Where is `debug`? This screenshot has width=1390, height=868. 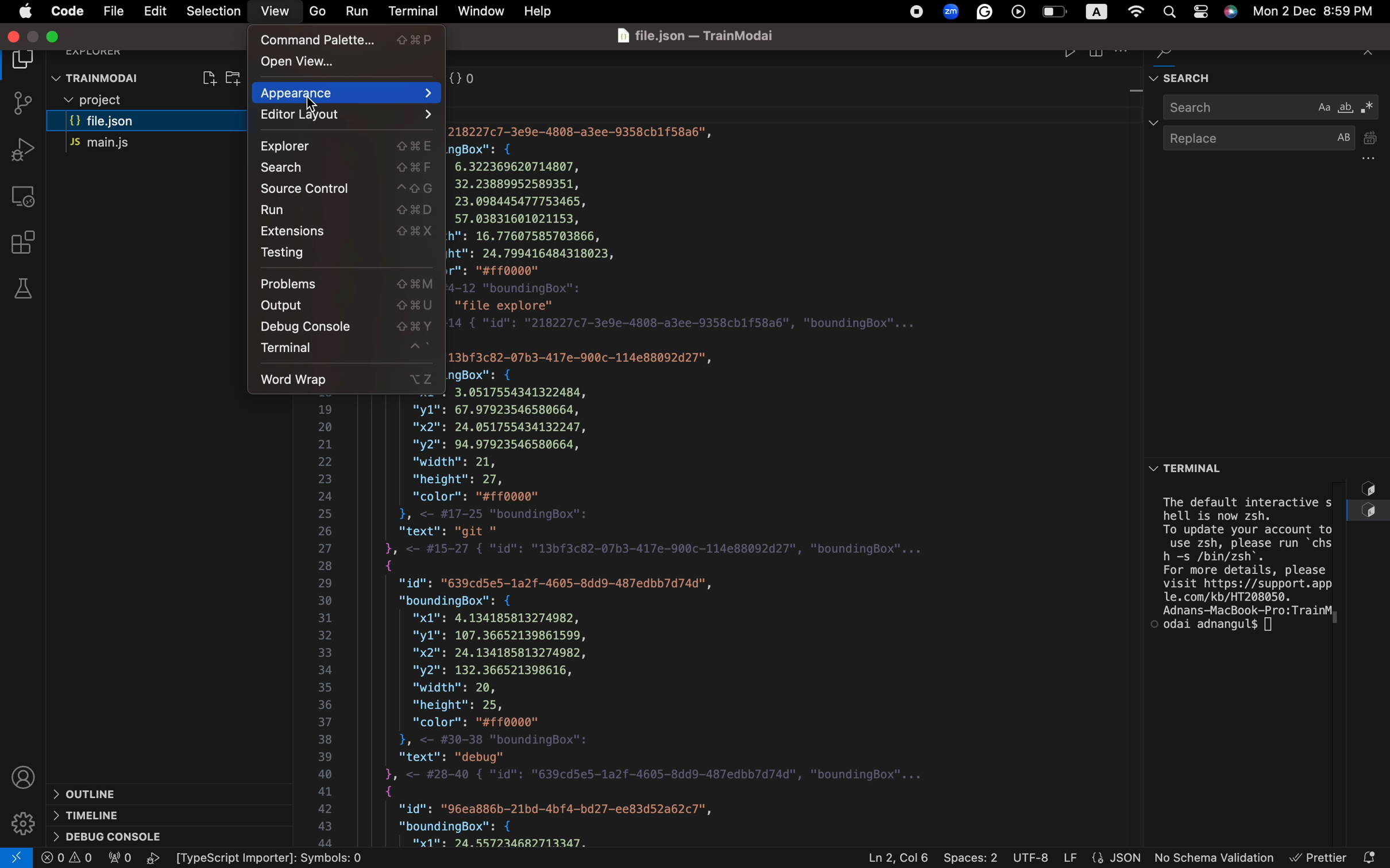 debug is located at coordinates (118, 838).